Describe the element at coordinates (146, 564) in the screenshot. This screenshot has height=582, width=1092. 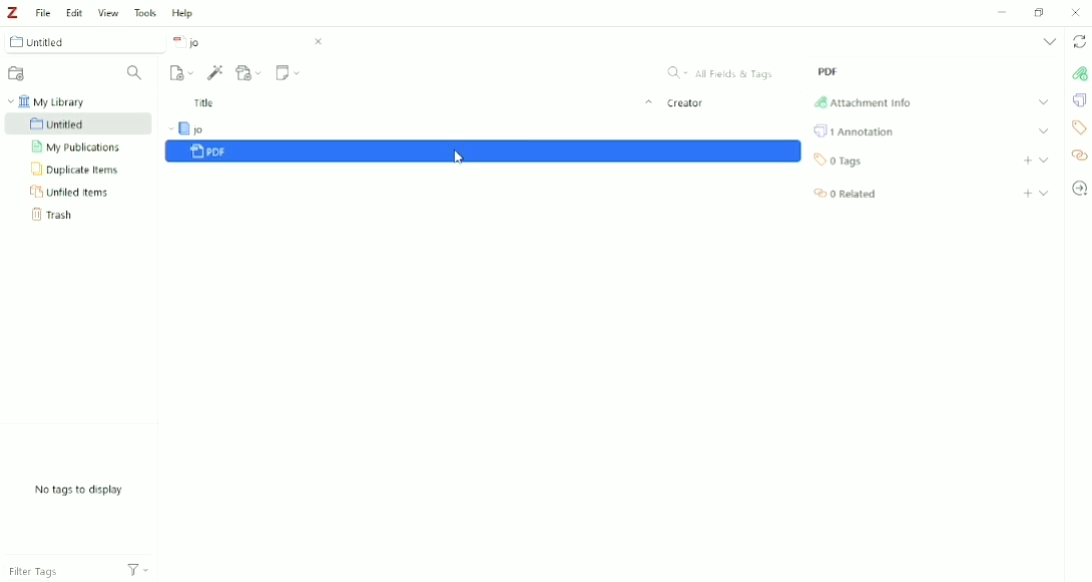
I see `Filters` at that location.